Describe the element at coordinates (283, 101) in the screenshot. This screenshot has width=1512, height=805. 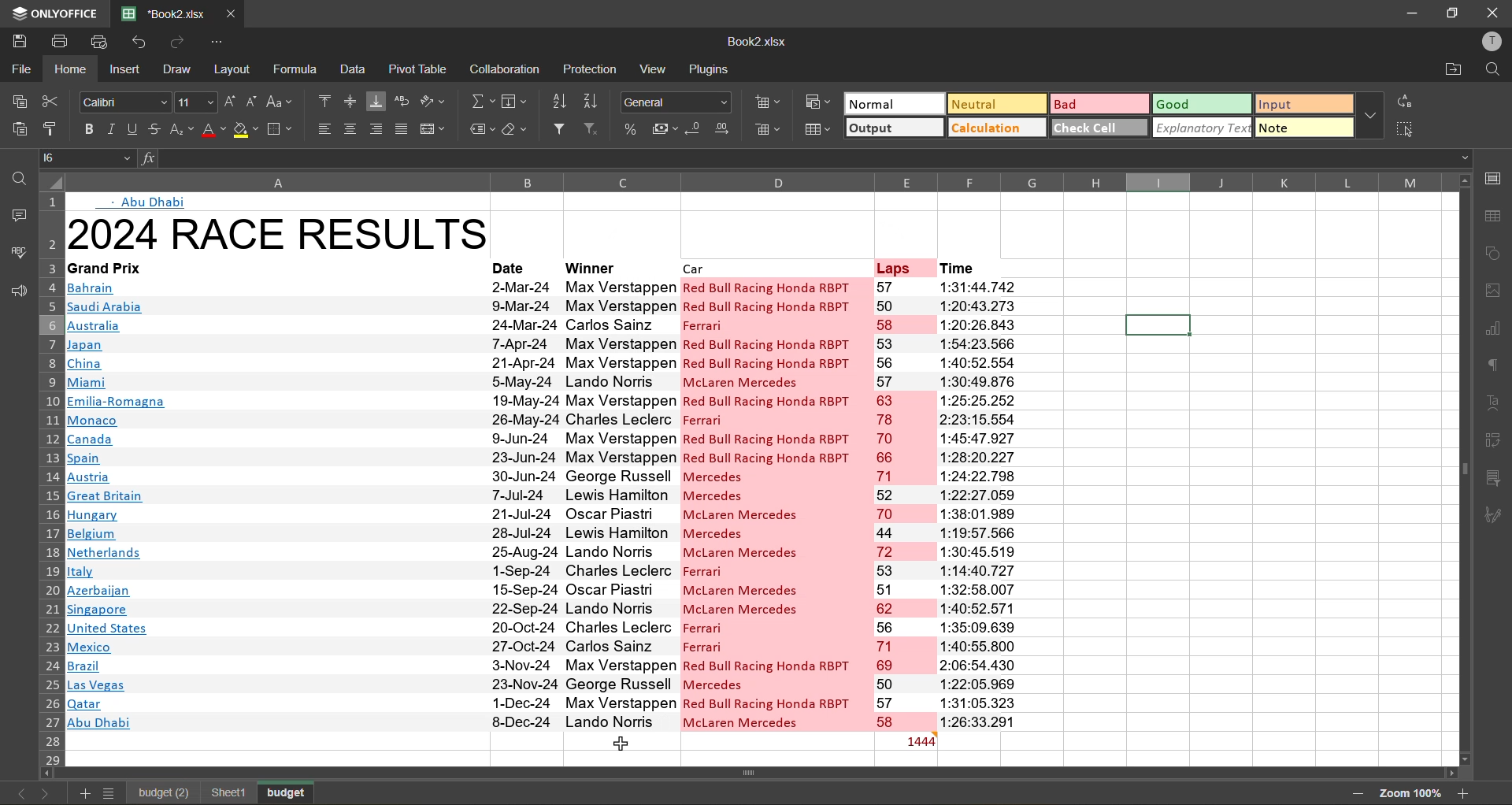
I see `change case` at that location.